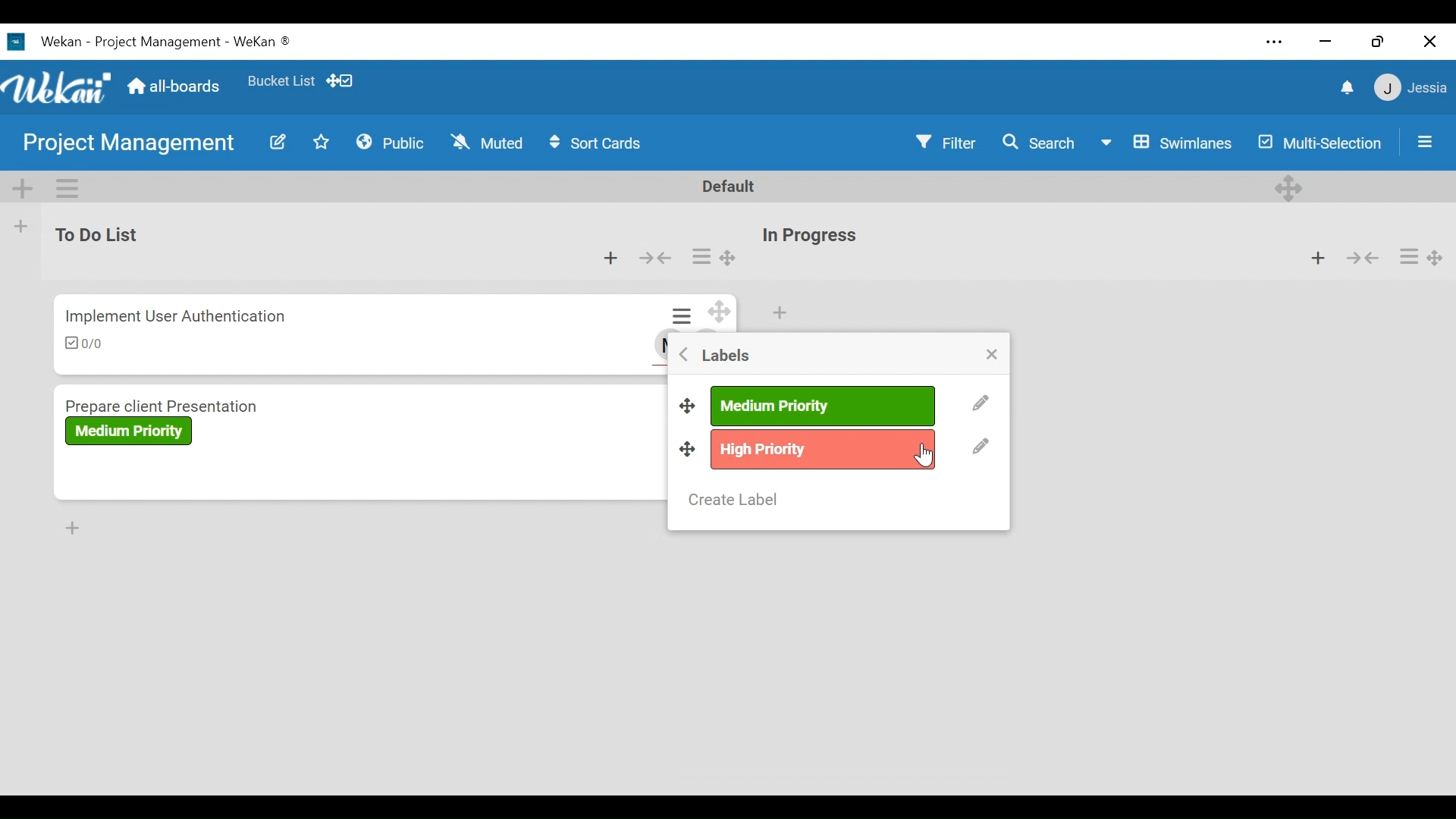 The image size is (1456, 819). What do you see at coordinates (723, 355) in the screenshot?
I see `labels` at bounding box center [723, 355].